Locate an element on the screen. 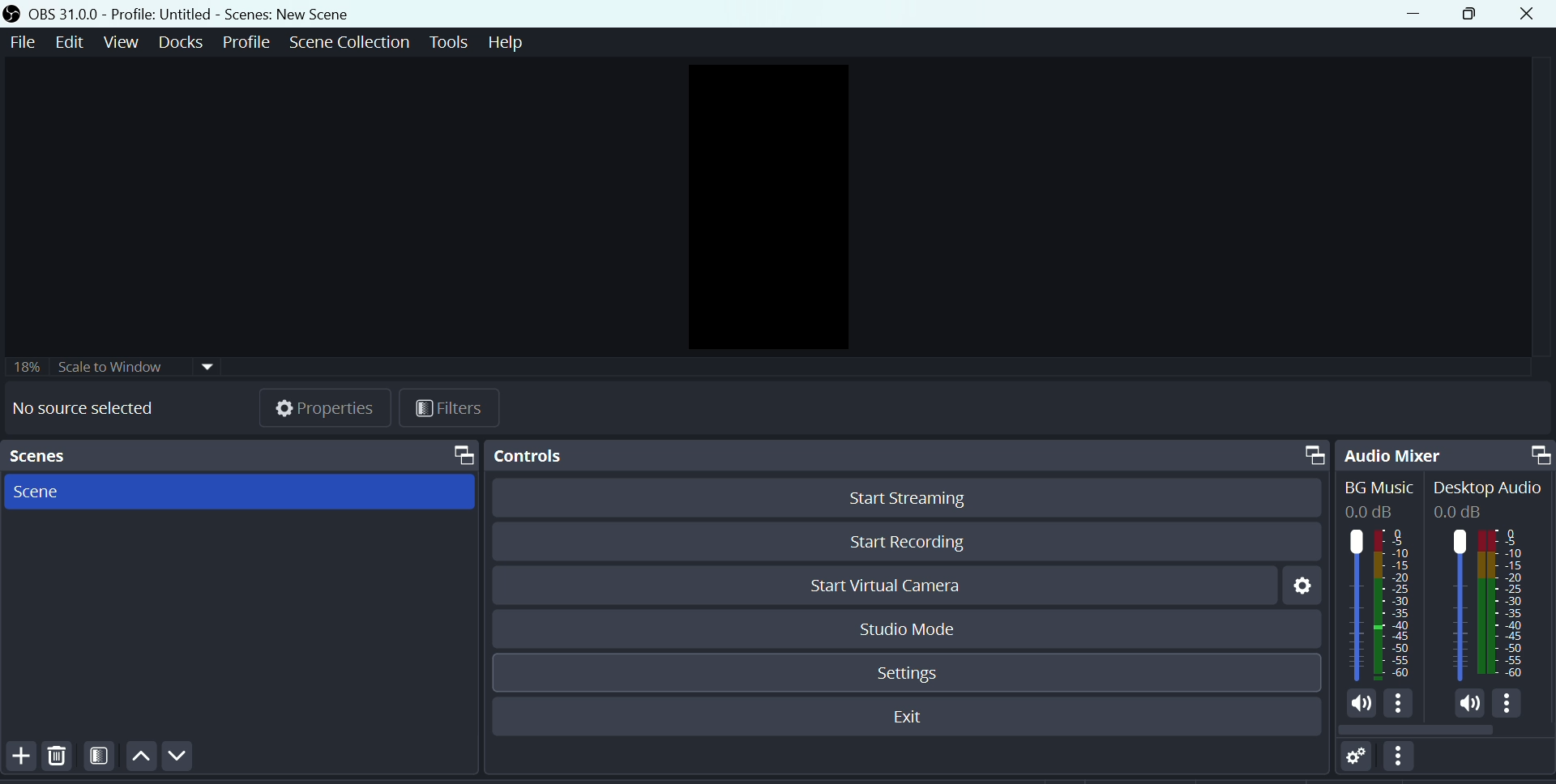 Image resolution: width=1556 pixels, height=784 pixels. Start virtual camera is located at coordinates (899, 586).